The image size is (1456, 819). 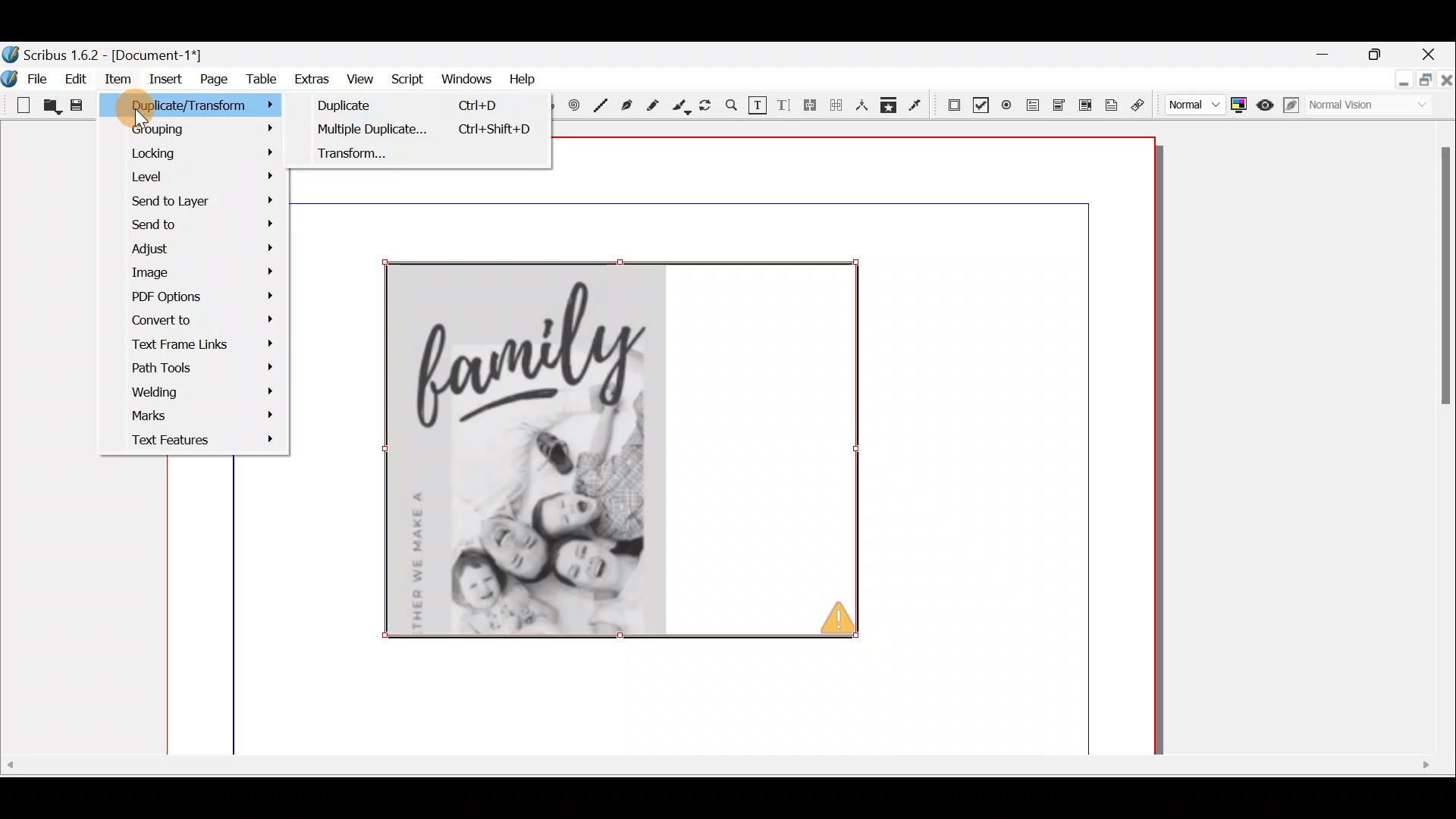 What do you see at coordinates (412, 106) in the screenshot?
I see `Multiple Duplicate` at bounding box center [412, 106].